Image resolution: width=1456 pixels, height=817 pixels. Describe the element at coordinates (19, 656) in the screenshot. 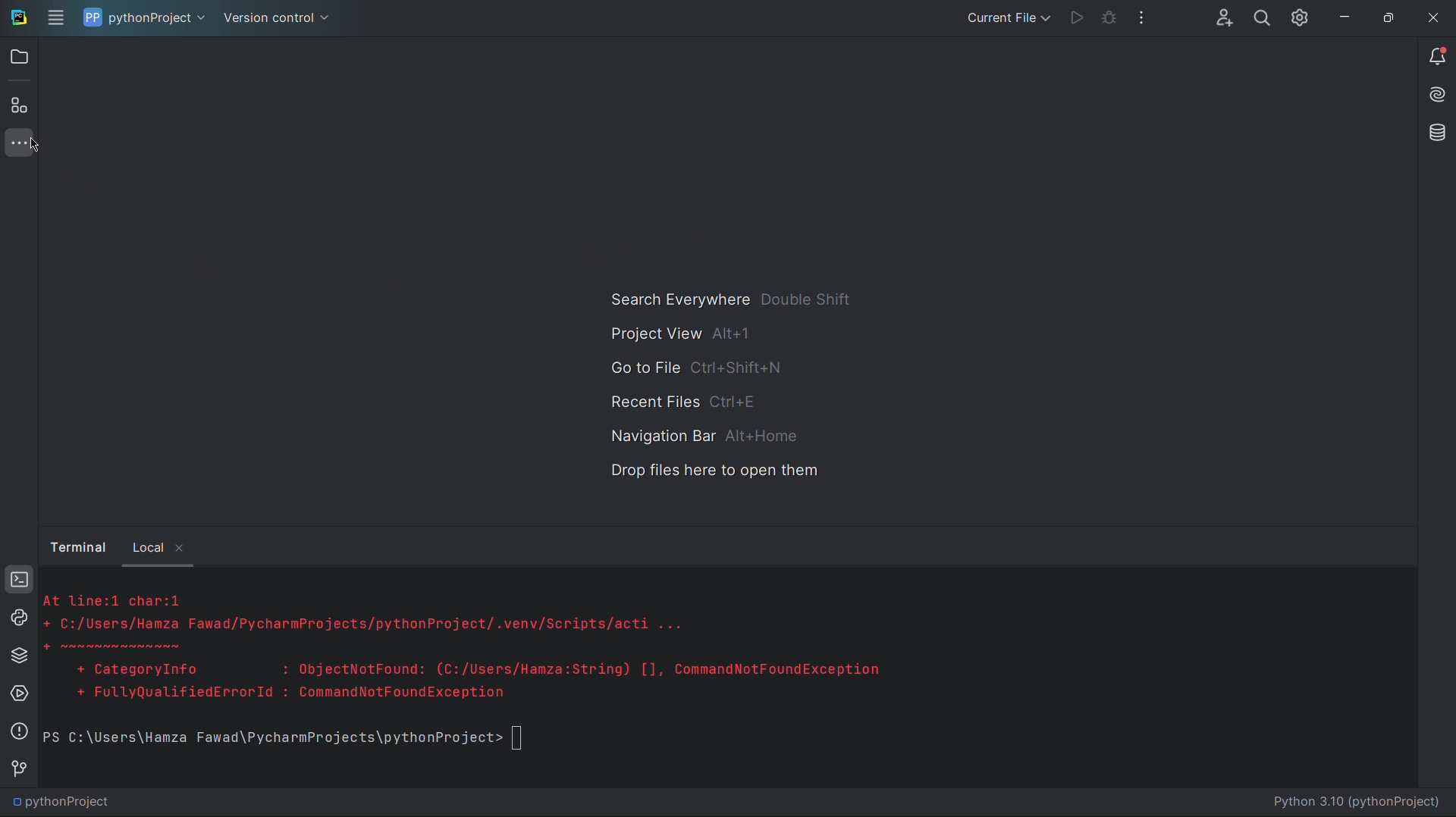

I see `Python Packages` at that location.